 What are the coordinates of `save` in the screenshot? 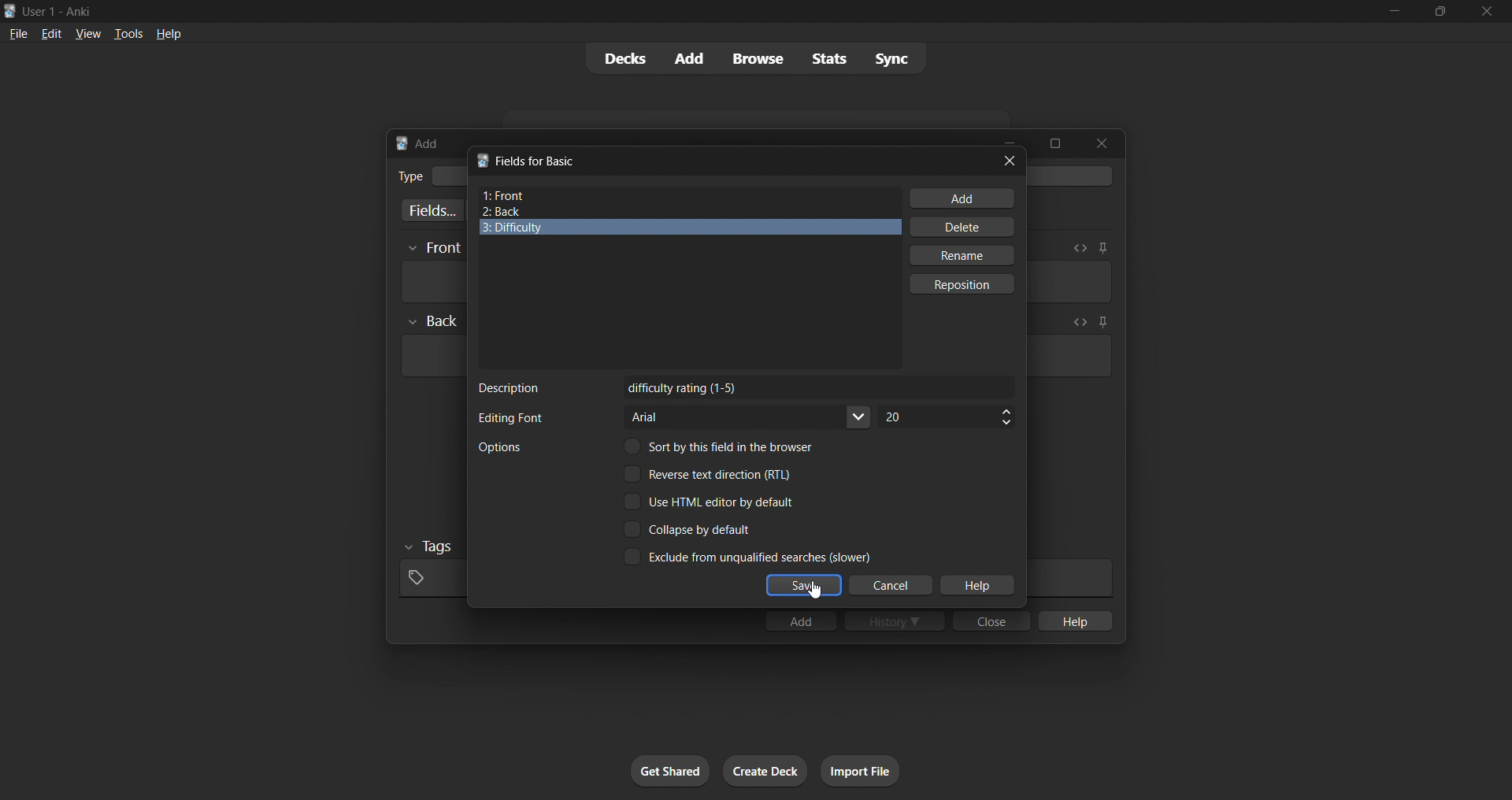 It's located at (804, 586).